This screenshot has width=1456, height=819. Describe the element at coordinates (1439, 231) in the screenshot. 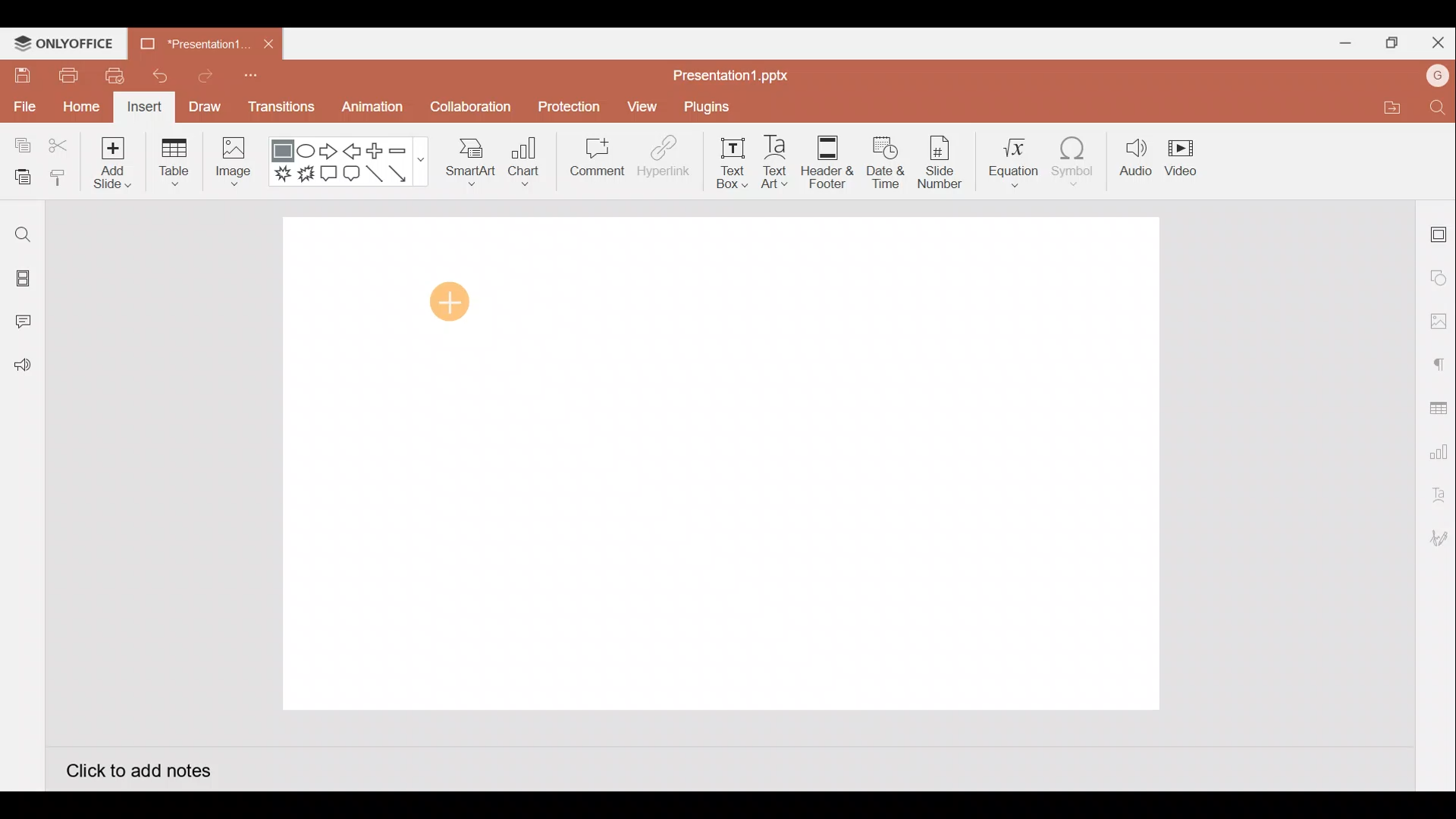

I see `Slide settings` at that location.